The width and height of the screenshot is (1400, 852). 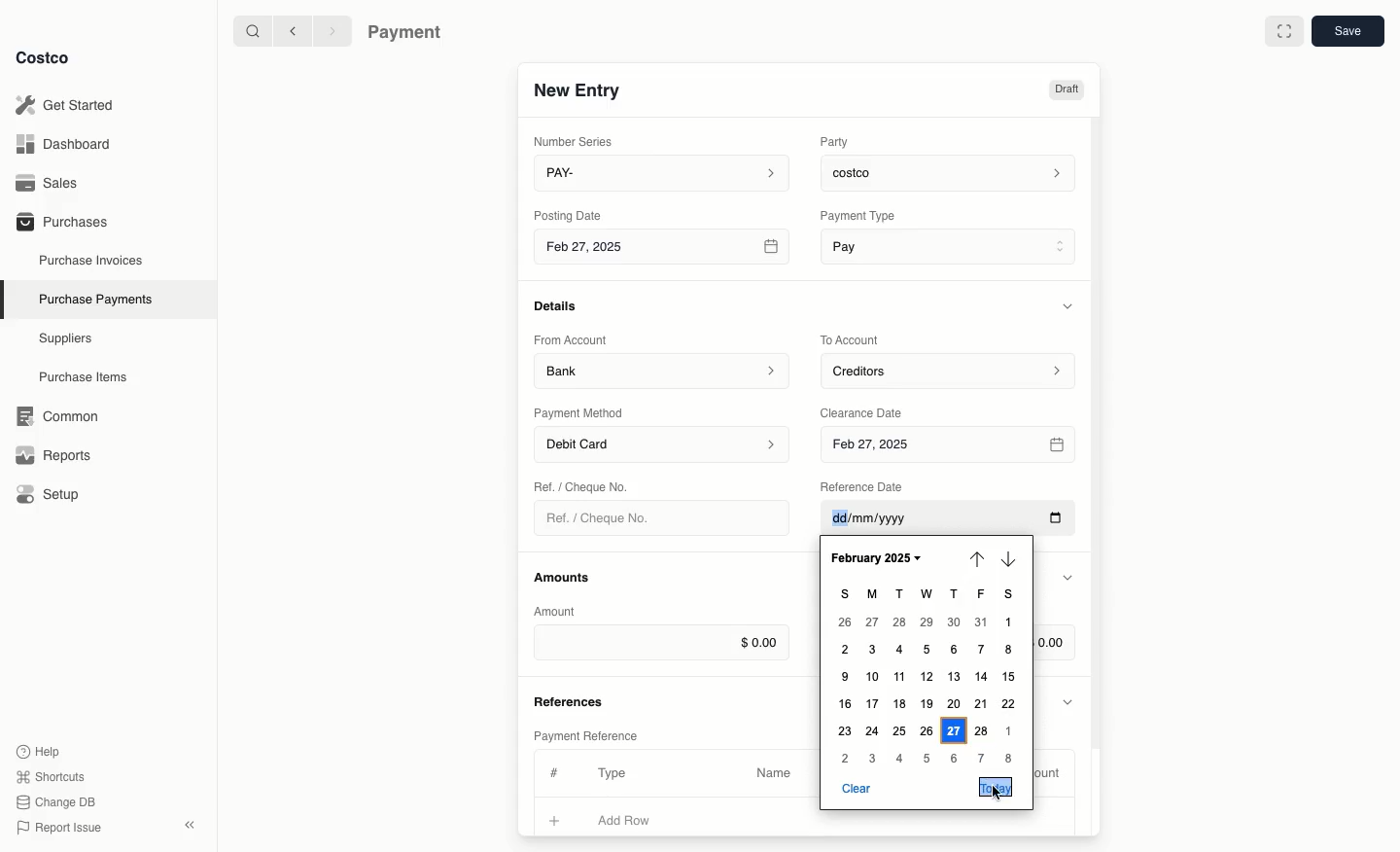 I want to click on Purchases, so click(x=61, y=221).